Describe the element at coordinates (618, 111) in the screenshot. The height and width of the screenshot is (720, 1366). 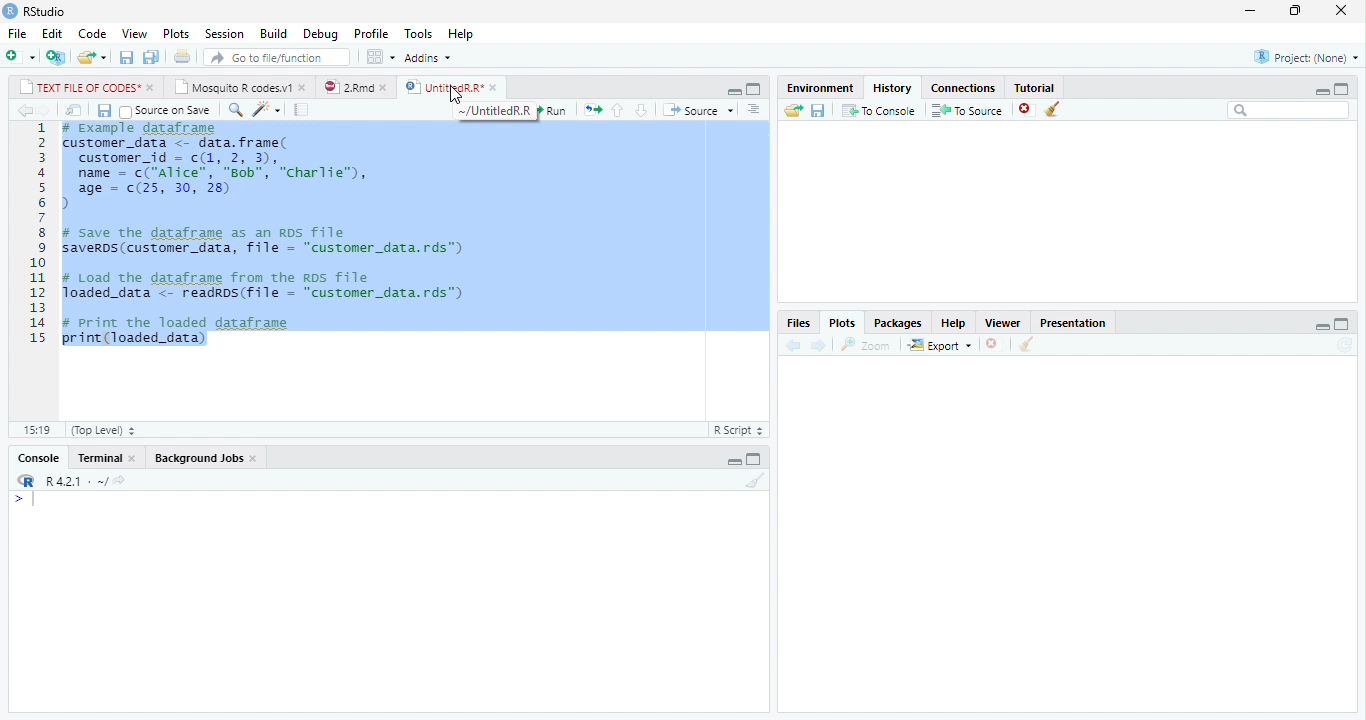
I see `up` at that location.